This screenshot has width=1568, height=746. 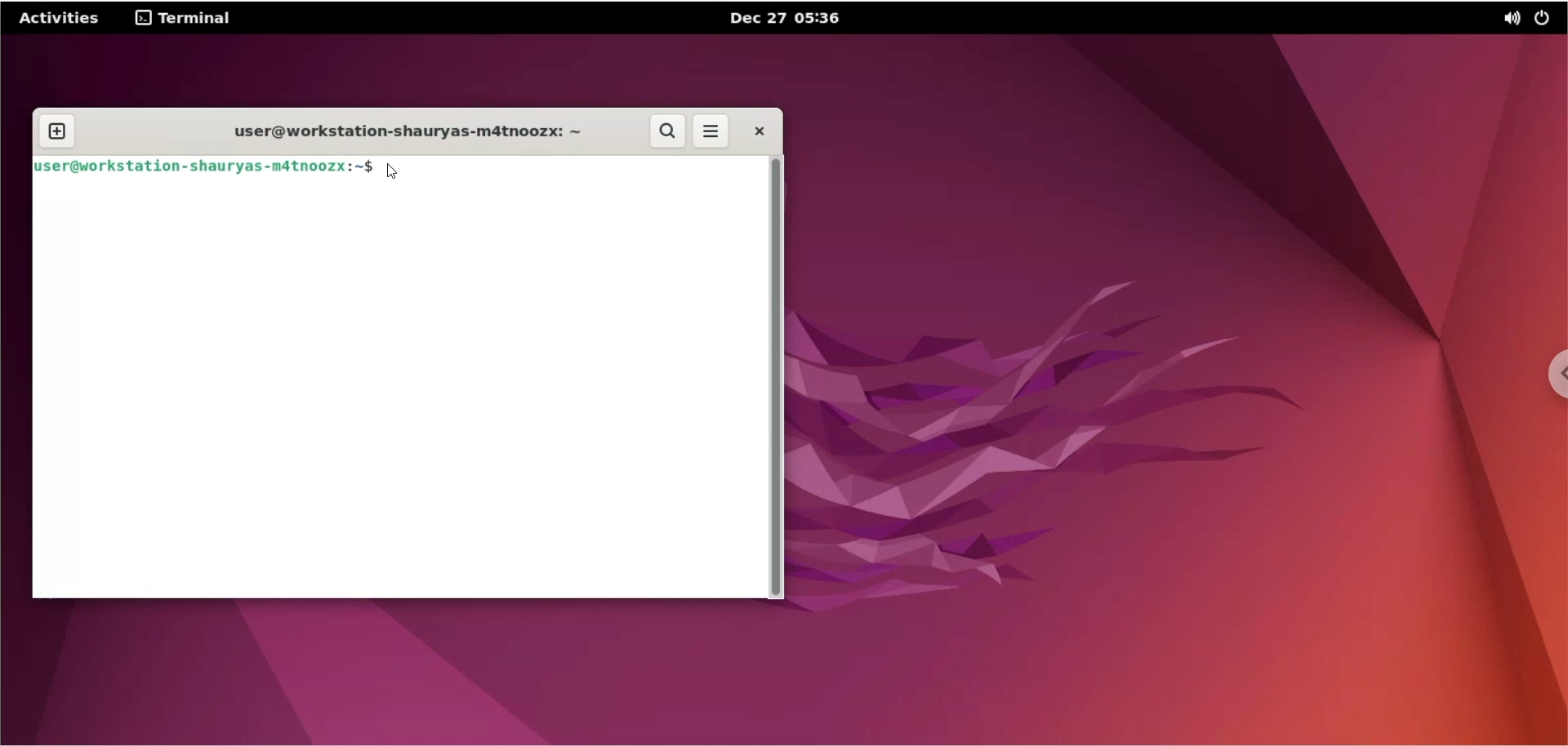 I want to click on user@workstation-shauryas-m4tnoozx: ~, so click(x=396, y=130).